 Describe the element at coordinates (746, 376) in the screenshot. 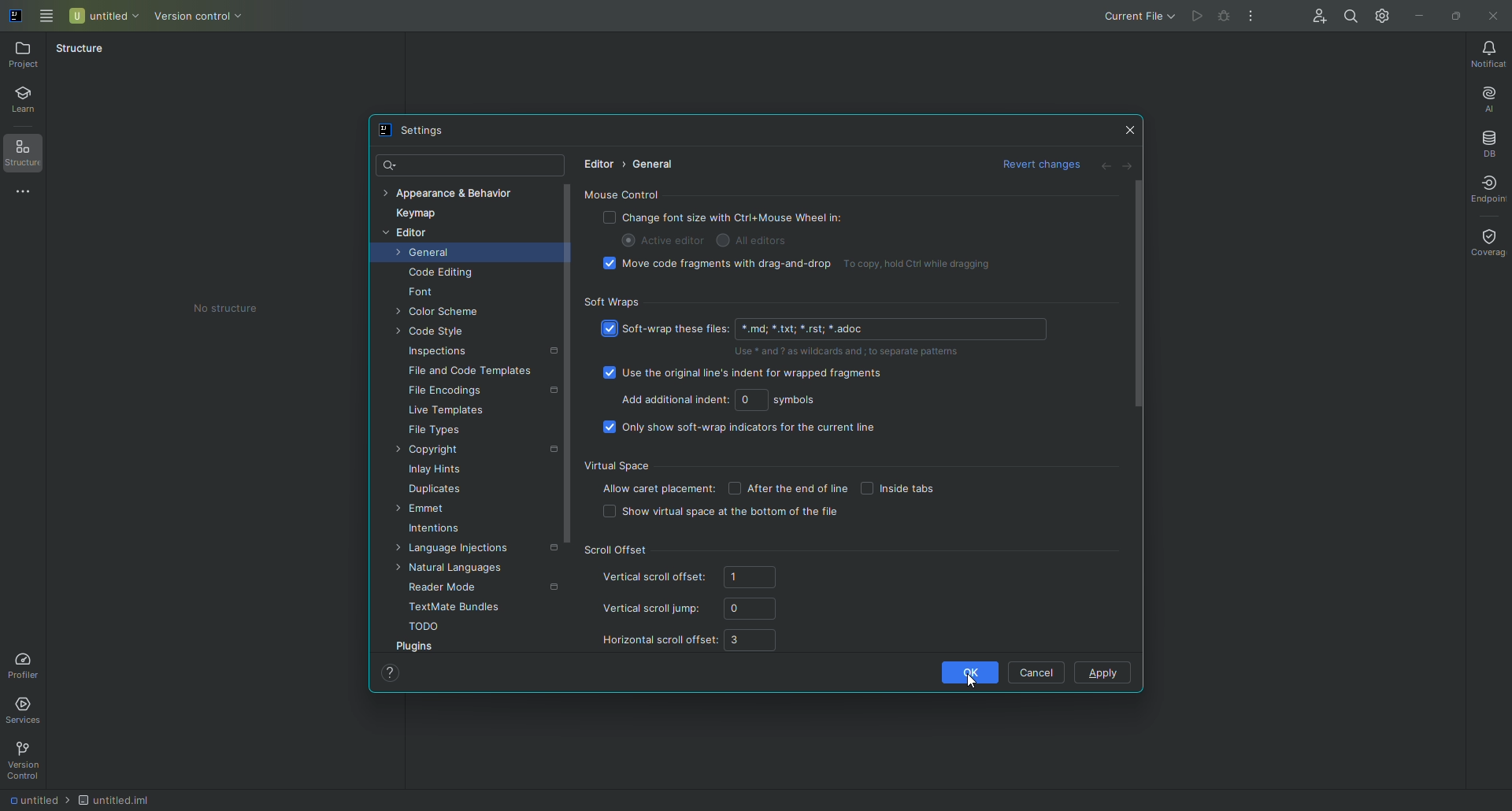

I see `Use the original line` at that location.